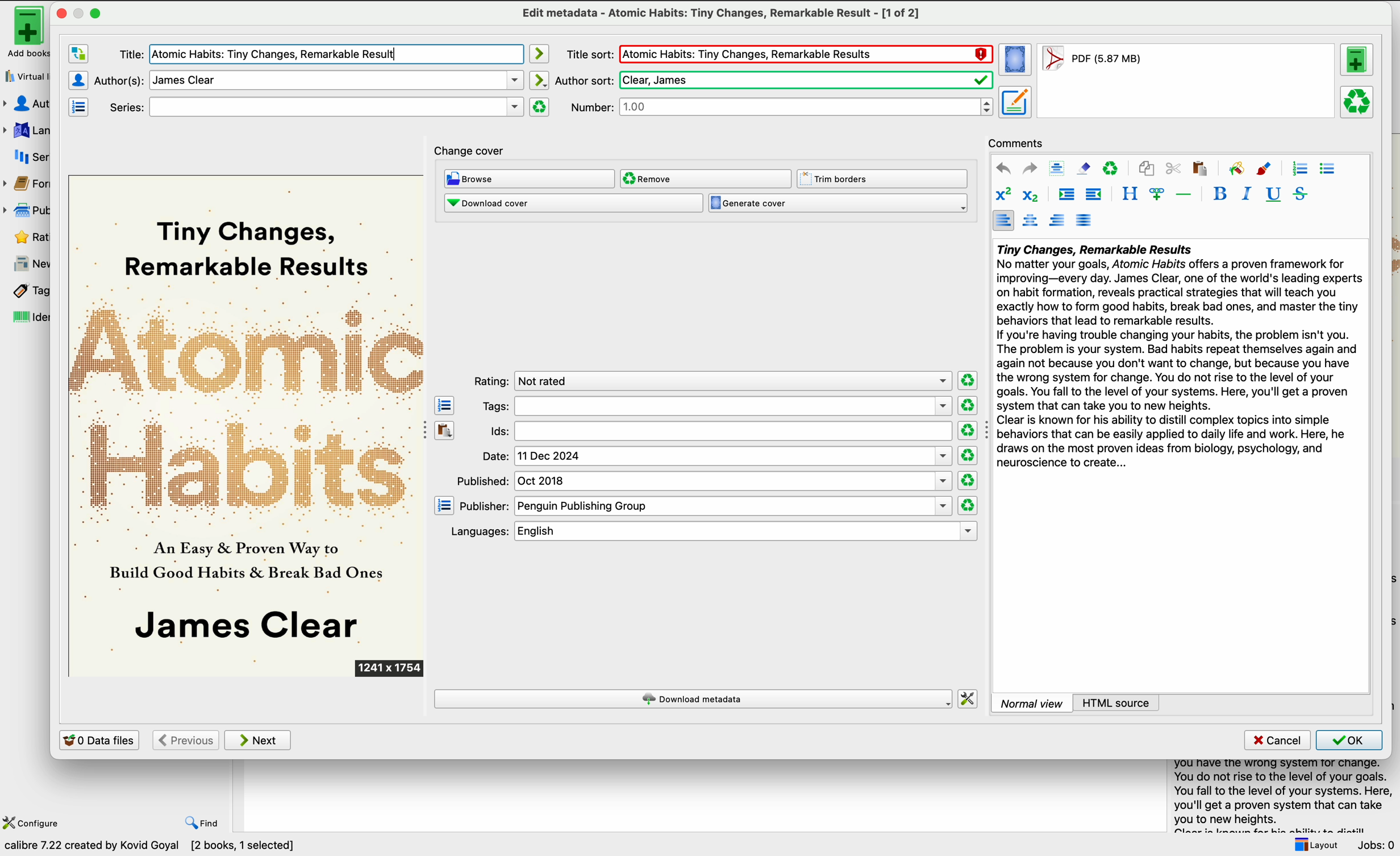 The height and width of the screenshot is (856, 1400). What do you see at coordinates (26, 264) in the screenshot?
I see `news` at bounding box center [26, 264].